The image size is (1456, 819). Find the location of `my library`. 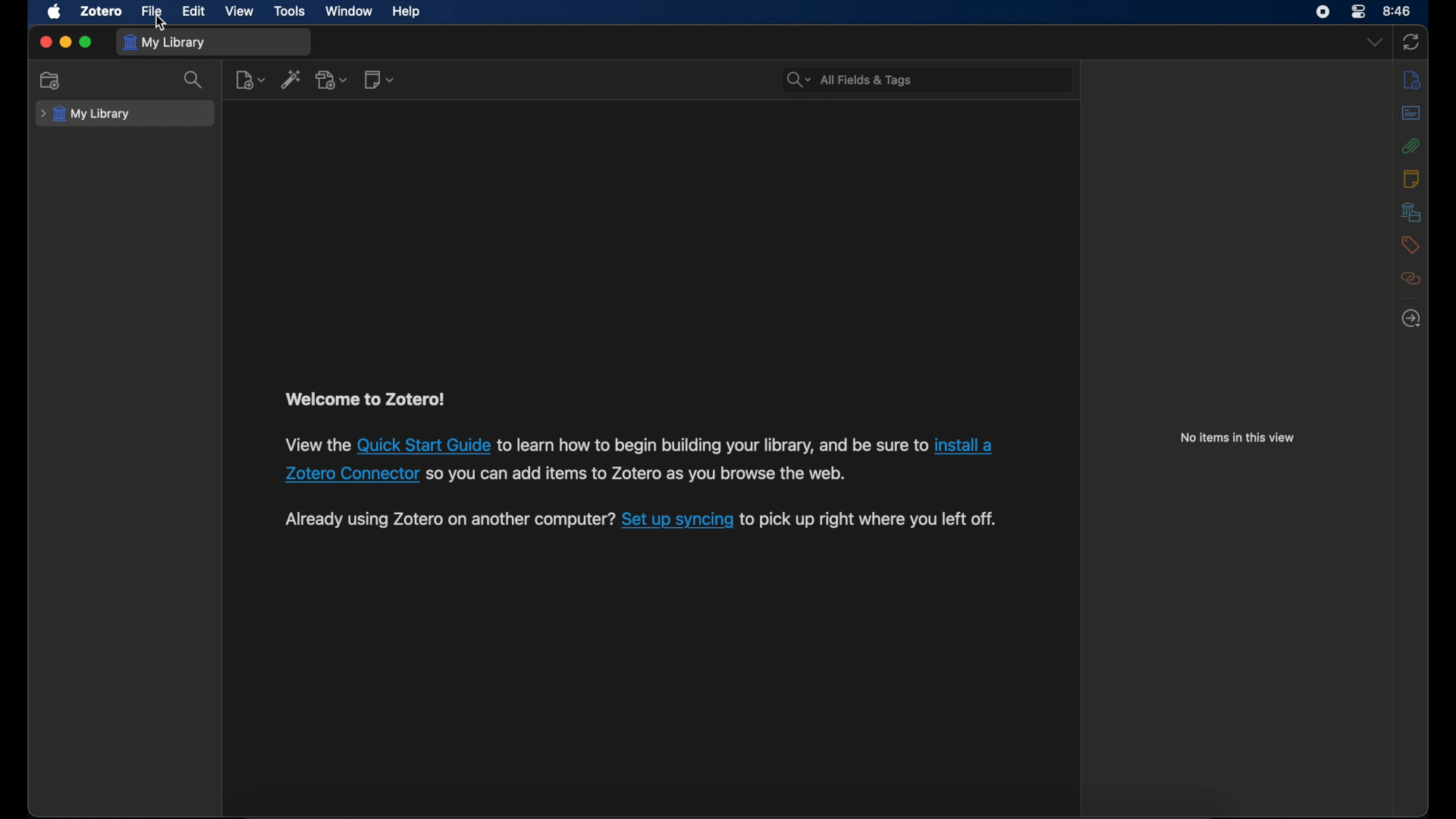

my library is located at coordinates (86, 115).